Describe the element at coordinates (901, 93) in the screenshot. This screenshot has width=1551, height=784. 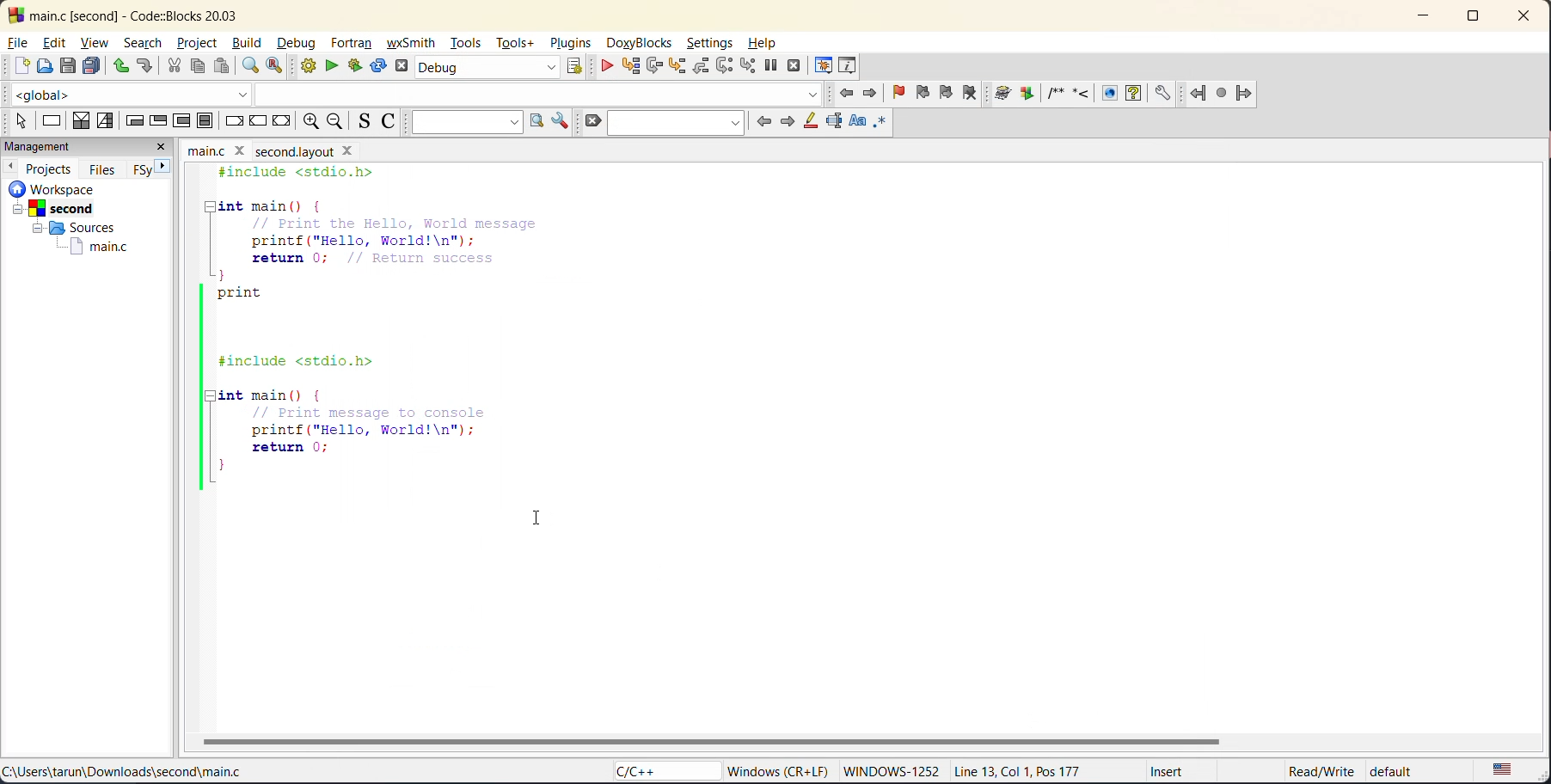
I see `toggle bookmark` at that location.